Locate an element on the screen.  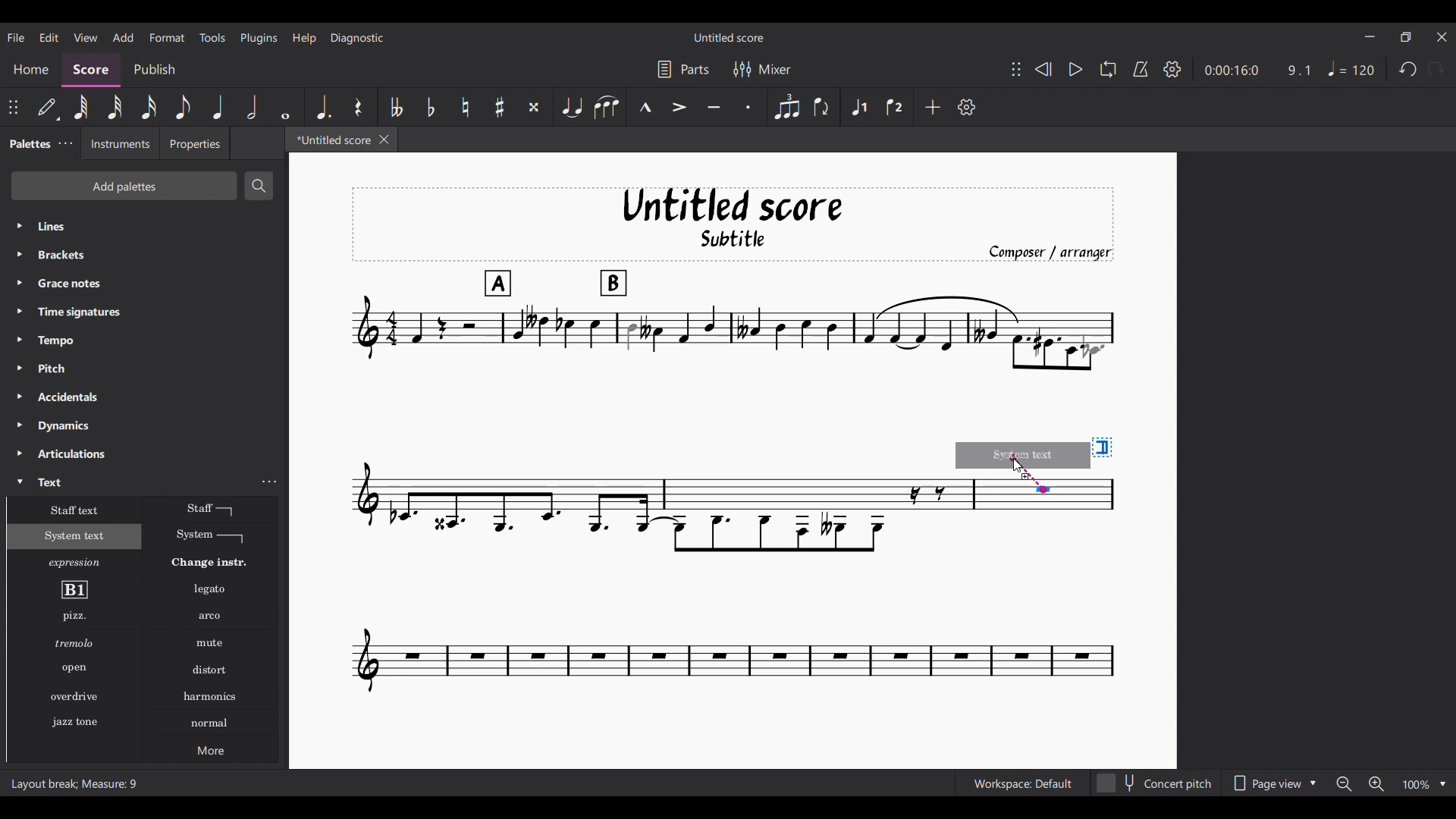
Cursor is located at coordinates (1018, 465).